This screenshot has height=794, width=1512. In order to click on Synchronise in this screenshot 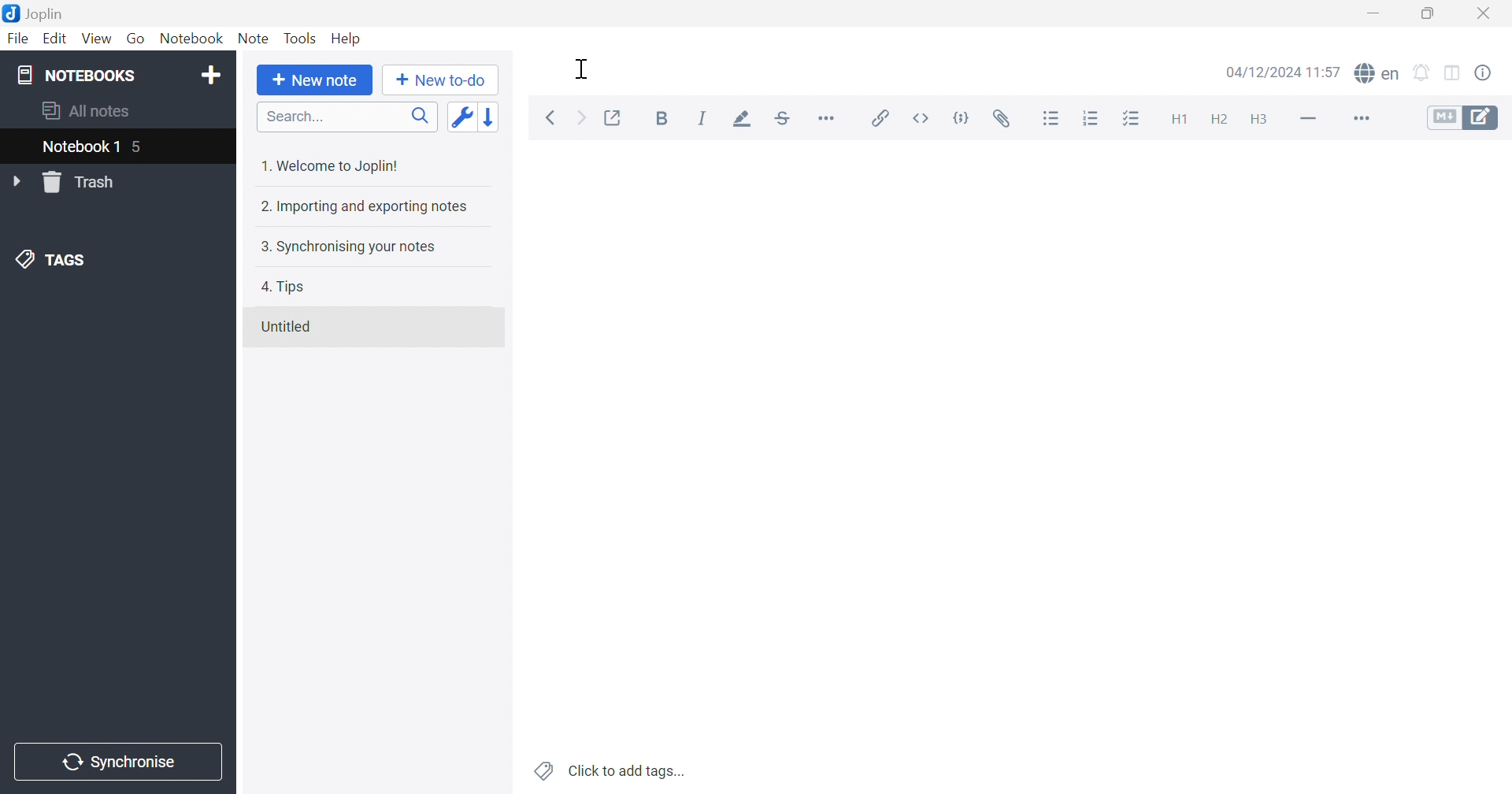, I will do `click(117, 762)`.